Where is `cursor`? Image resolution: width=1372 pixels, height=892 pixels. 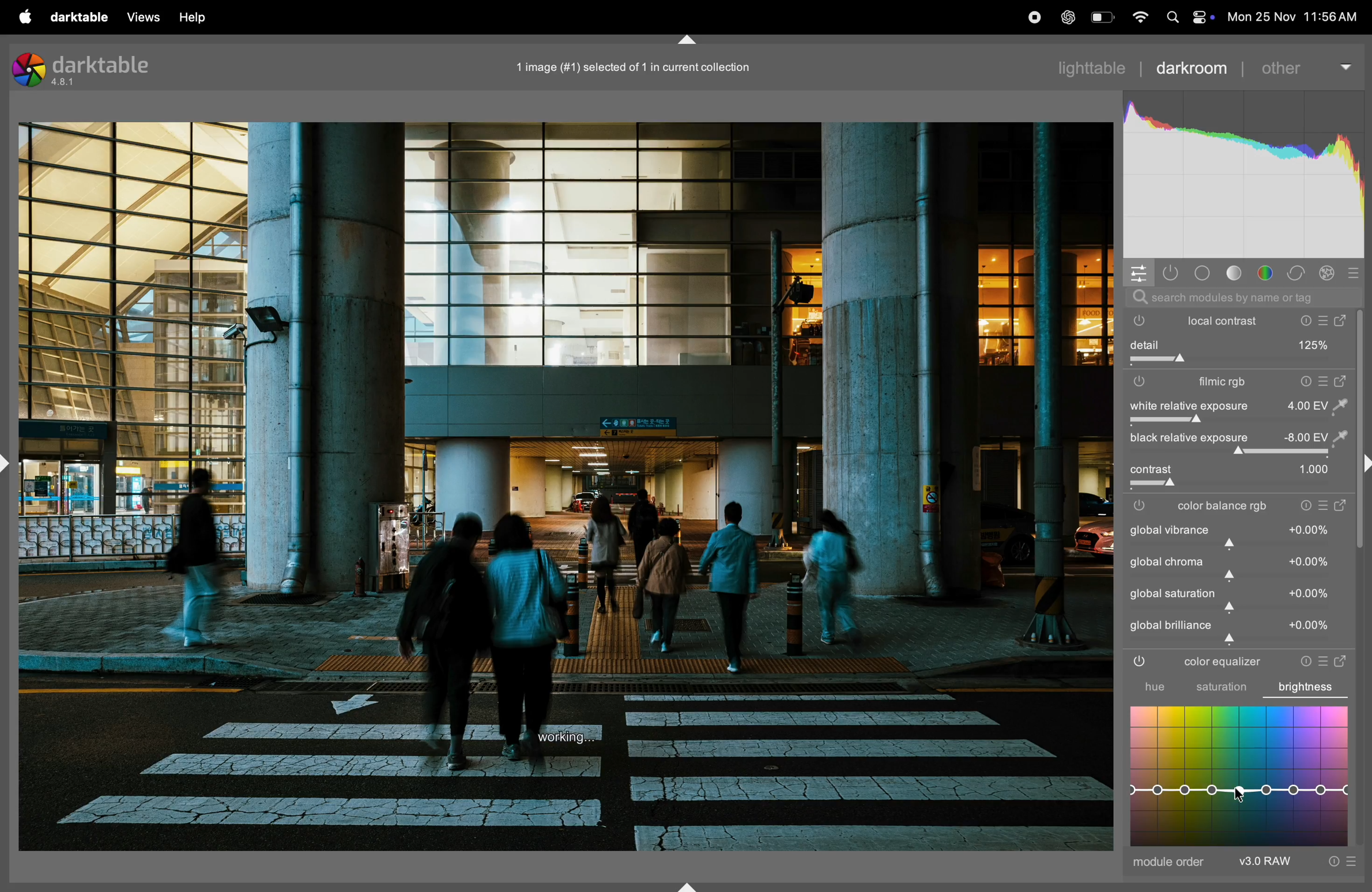
cursor is located at coordinates (1242, 796).